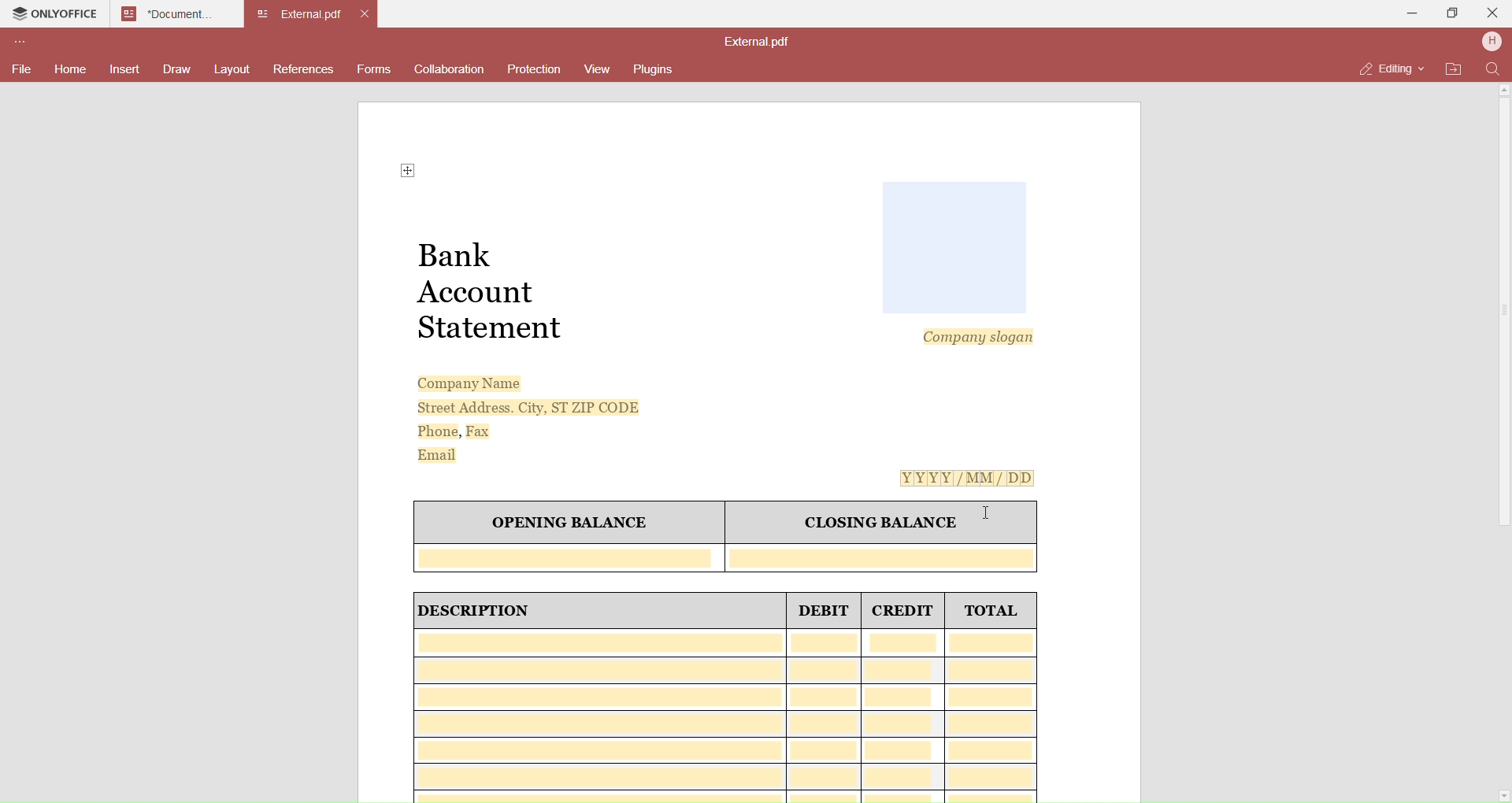 Image resolution: width=1512 pixels, height=803 pixels. What do you see at coordinates (495, 291) in the screenshot?
I see `Bank
Account
Statement` at bounding box center [495, 291].